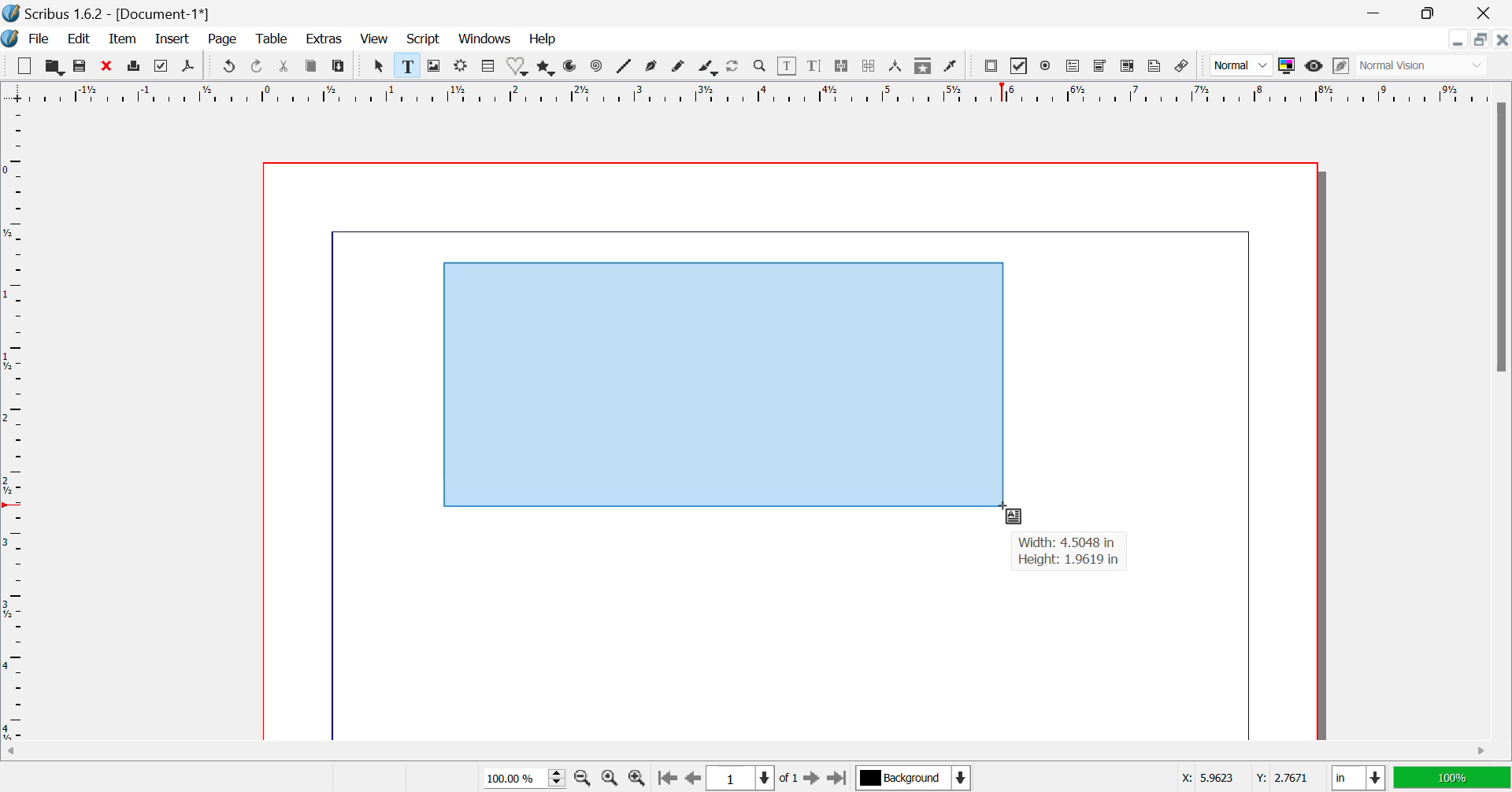  What do you see at coordinates (816, 68) in the screenshot?
I see `Edit Text with Story Editor` at bounding box center [816, 68].